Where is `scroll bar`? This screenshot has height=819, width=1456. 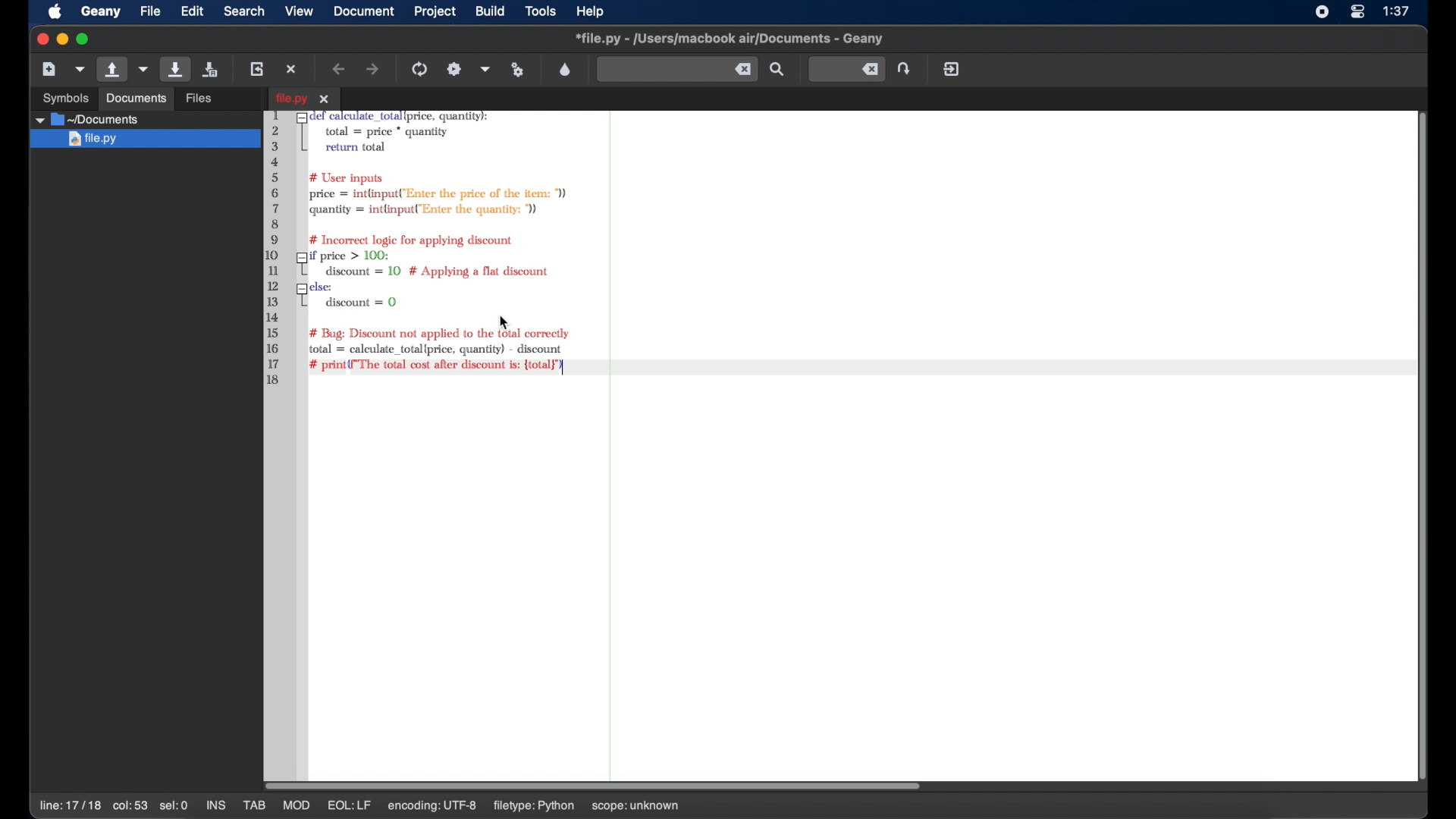
scroll bar is located at coordinates (1417, 444).